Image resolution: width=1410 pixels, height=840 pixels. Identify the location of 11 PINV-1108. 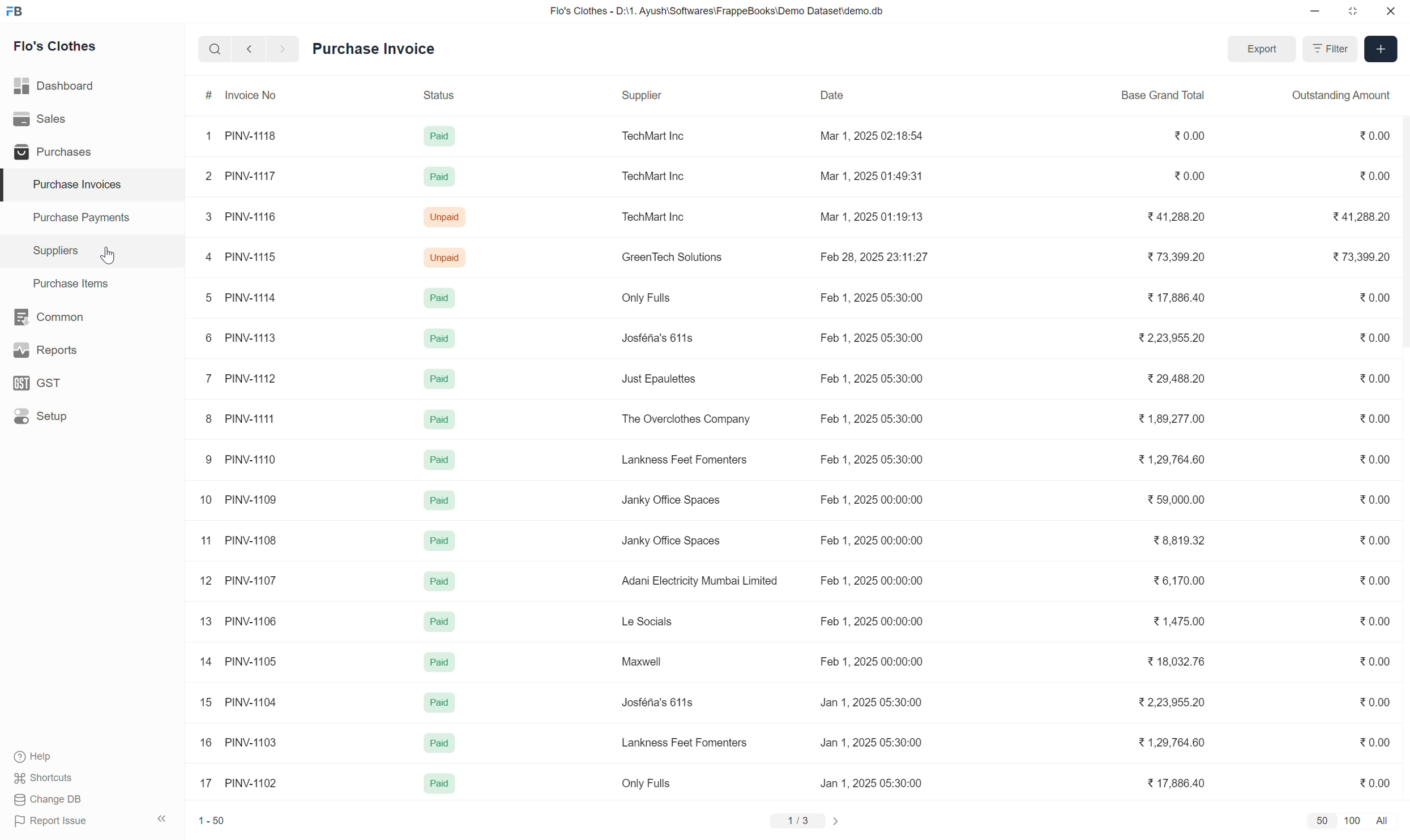
(237, 537).